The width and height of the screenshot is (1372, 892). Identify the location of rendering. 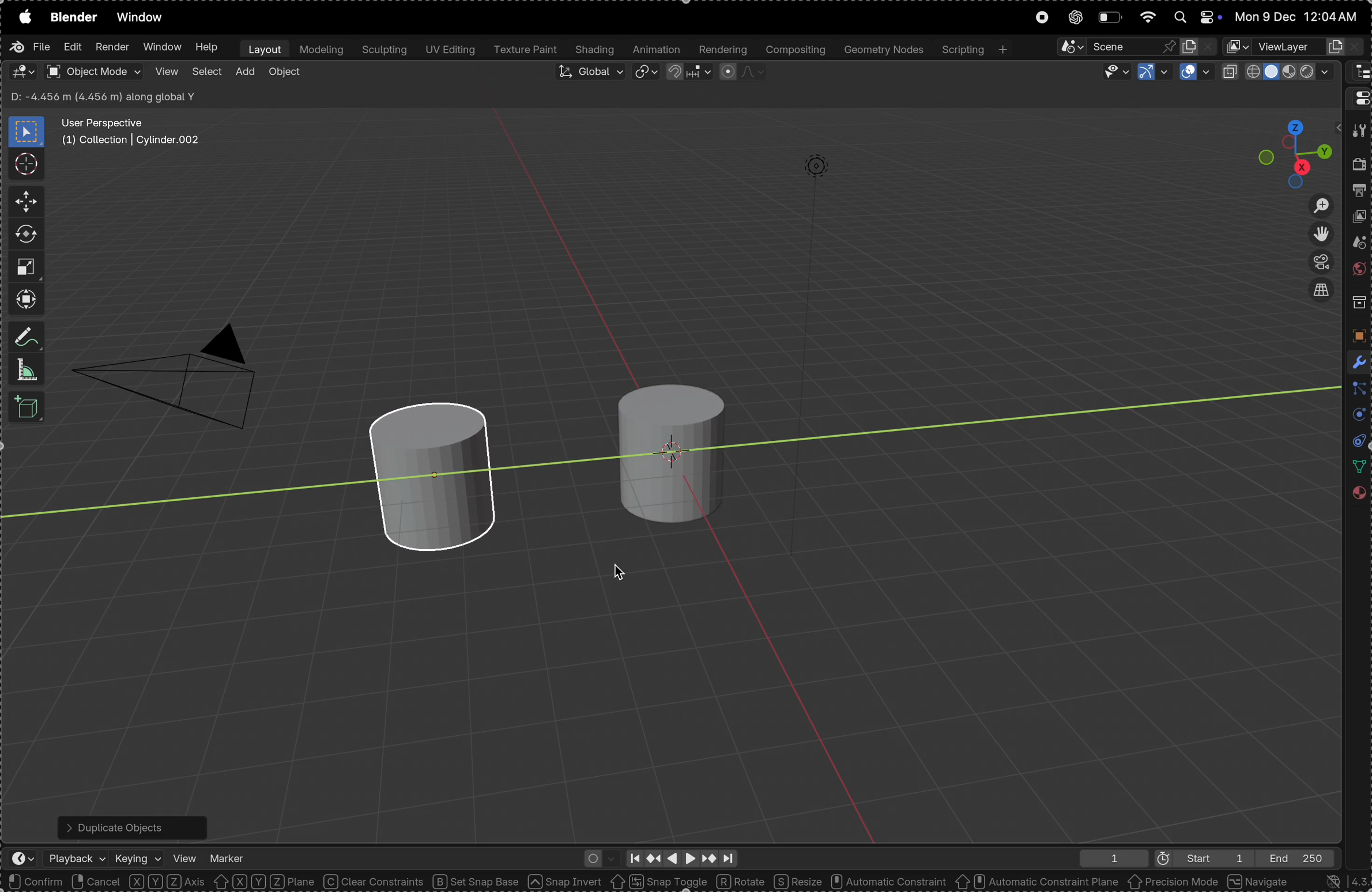
(721, 50).